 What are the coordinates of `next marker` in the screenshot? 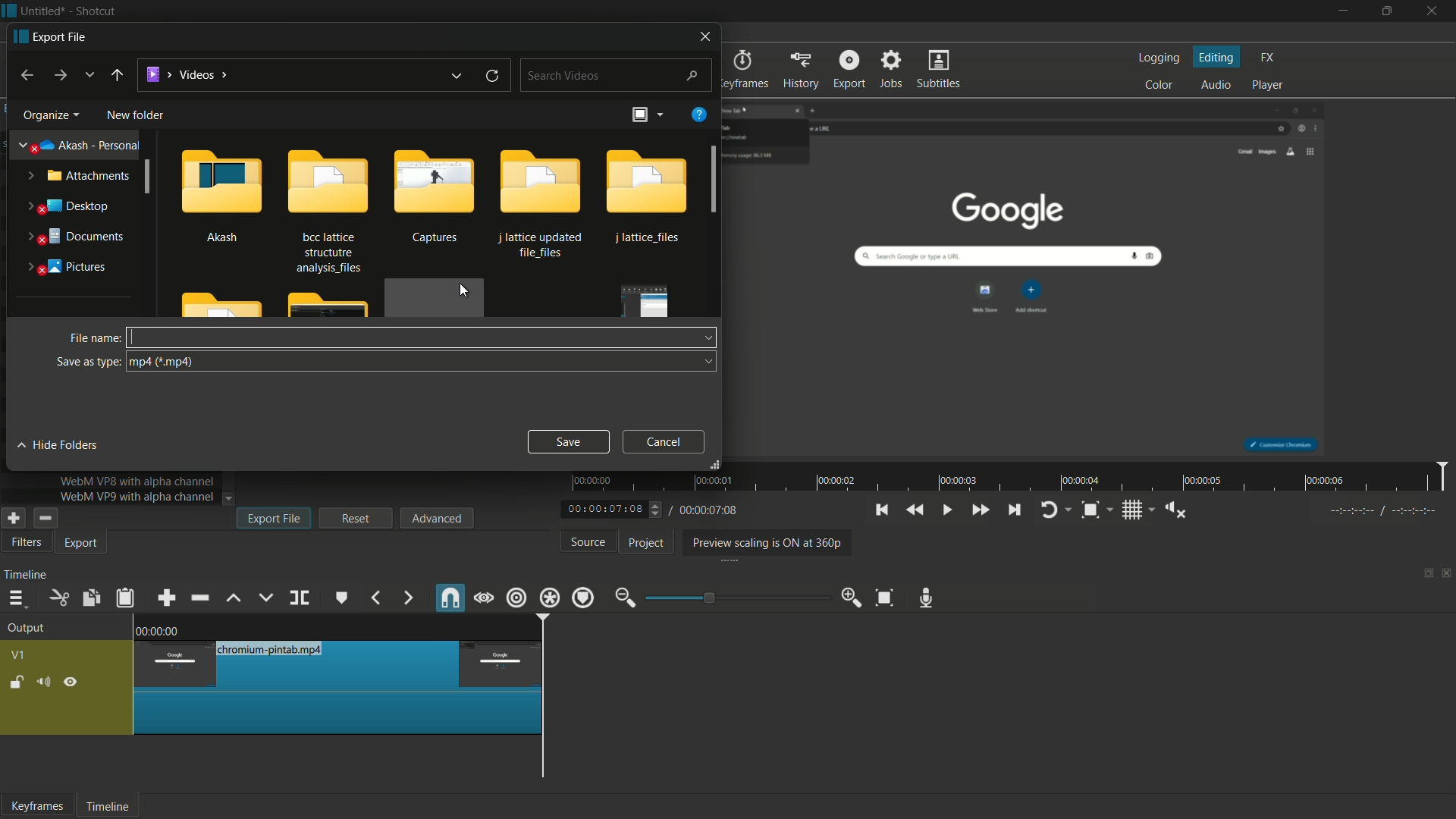 It's located at (409, 599).